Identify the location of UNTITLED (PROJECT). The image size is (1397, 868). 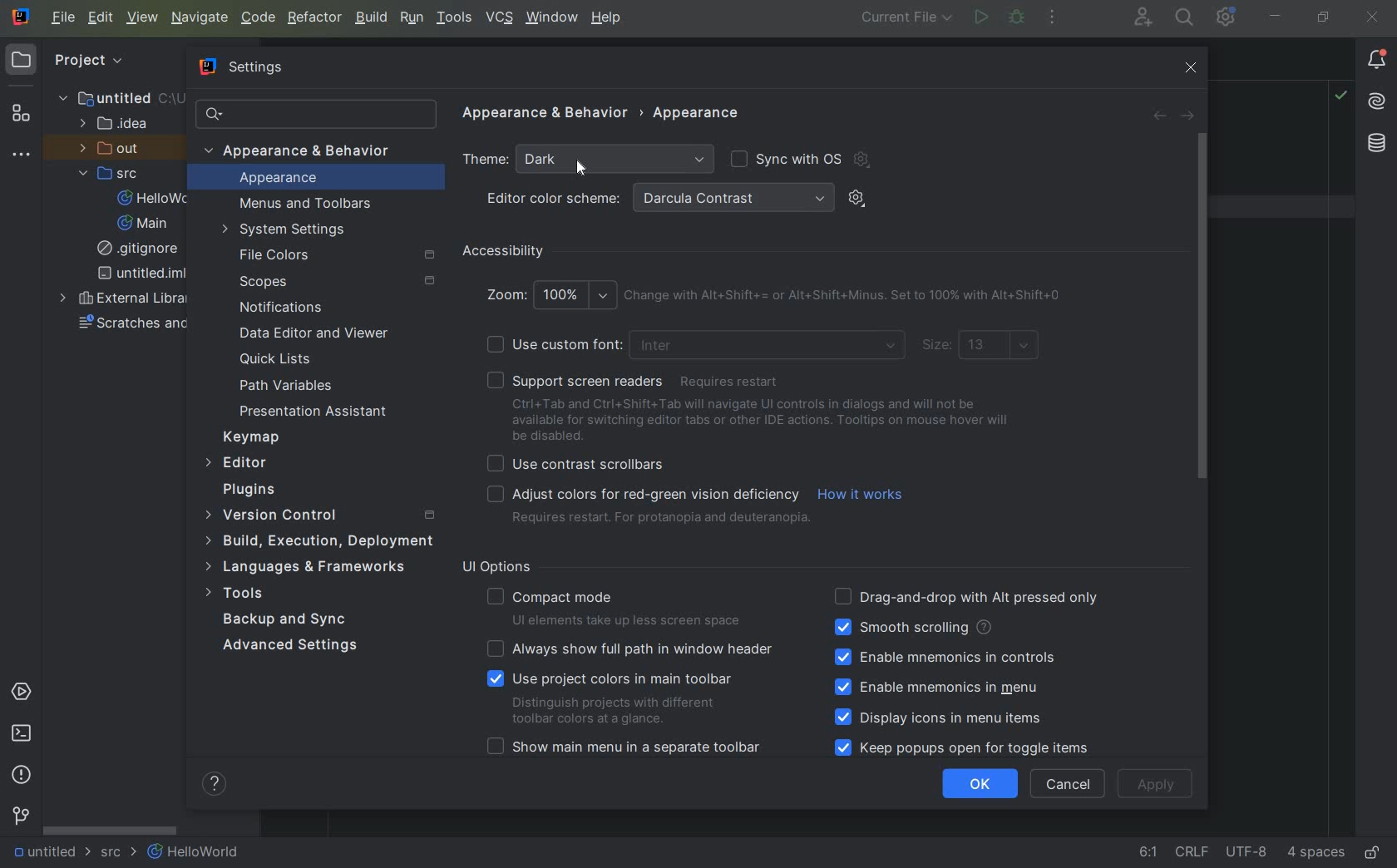
(112, 98).